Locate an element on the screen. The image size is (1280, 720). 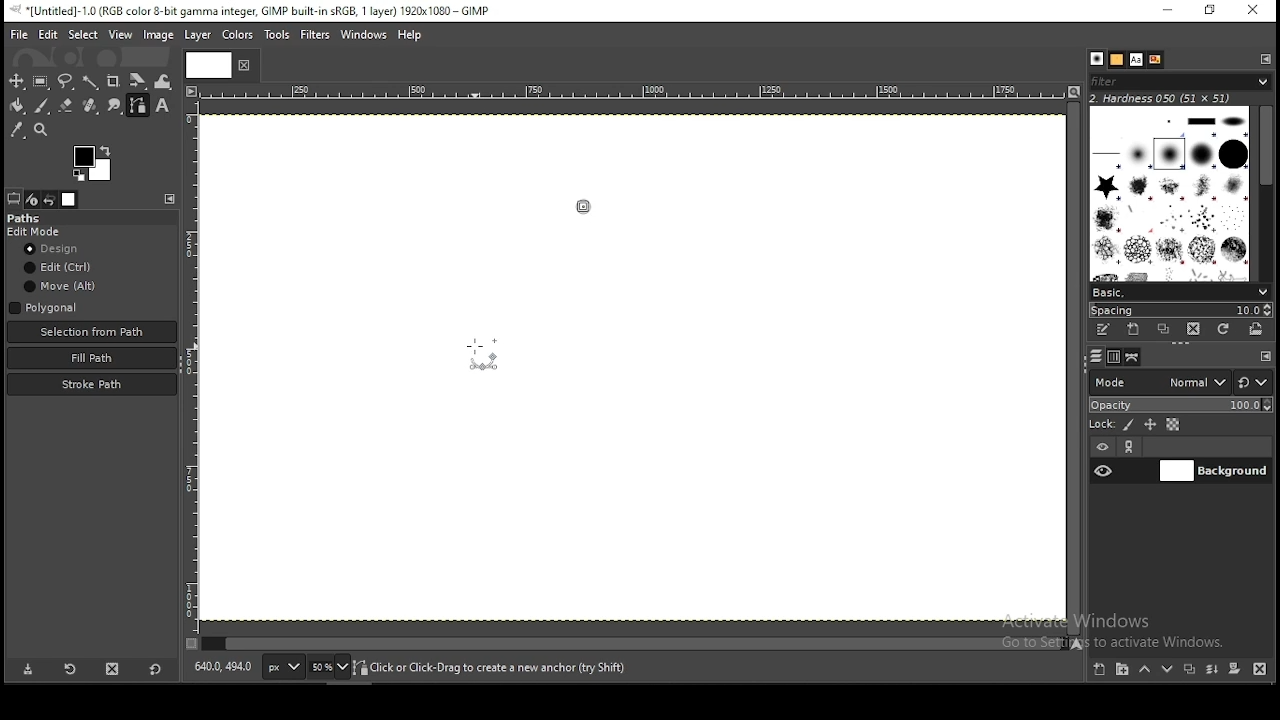
edit is located at coordinates (47, 35).